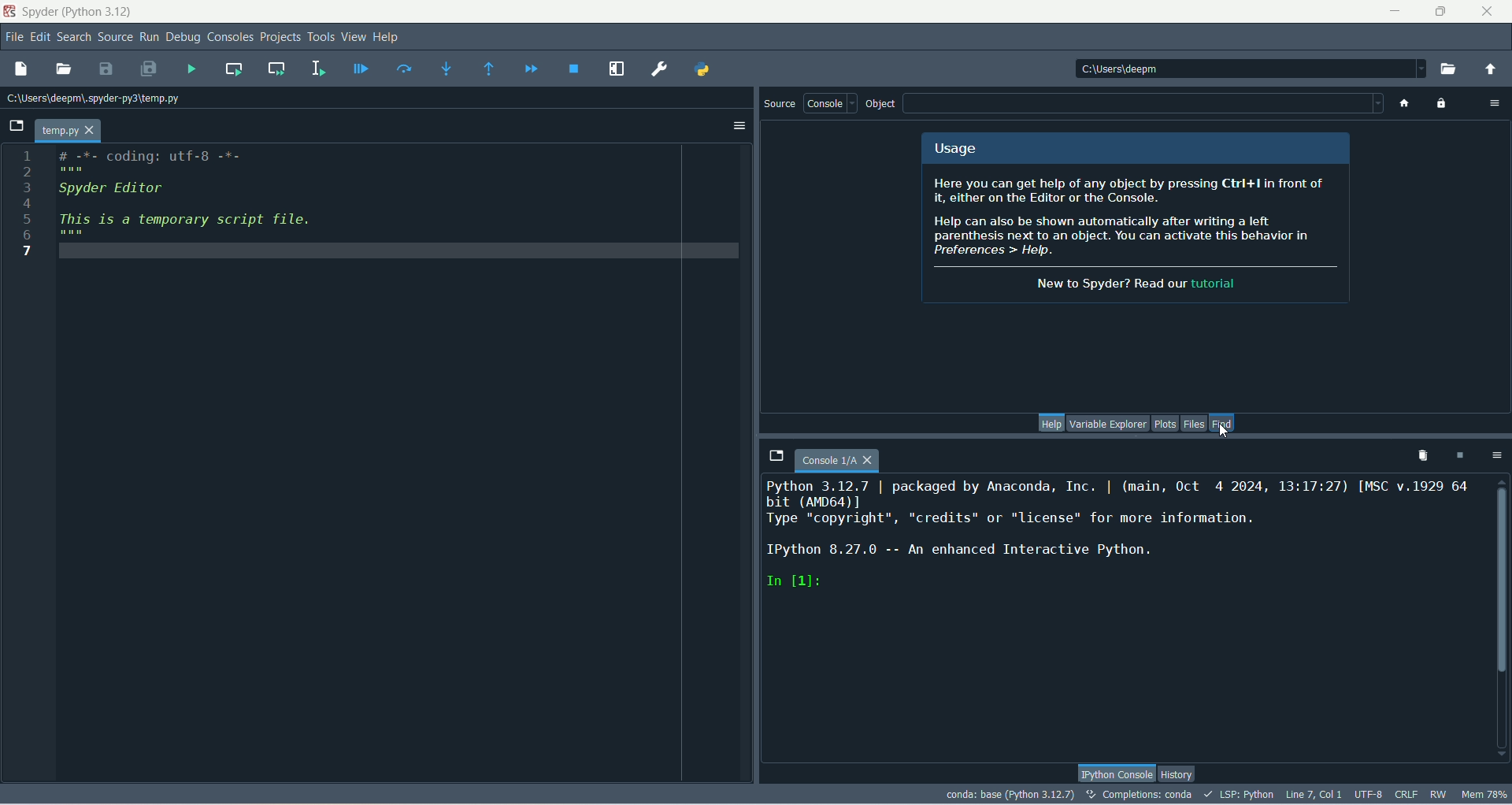  Describe the element at coordinates (1116, 772) in the screenshot. I see `IPython console` at that location.